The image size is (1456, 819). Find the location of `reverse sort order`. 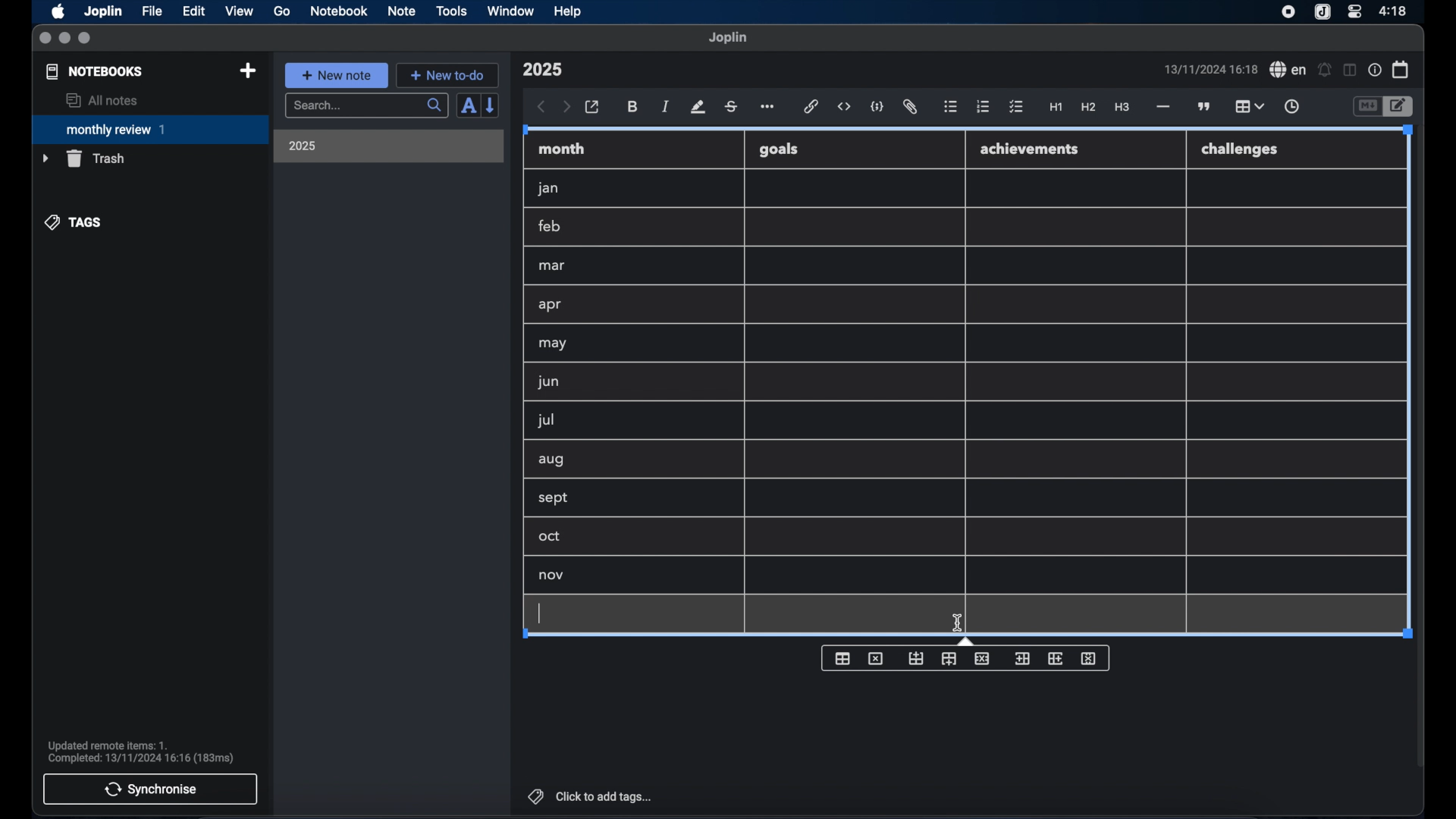

reverse sort order is located at coordinates (491, 105).